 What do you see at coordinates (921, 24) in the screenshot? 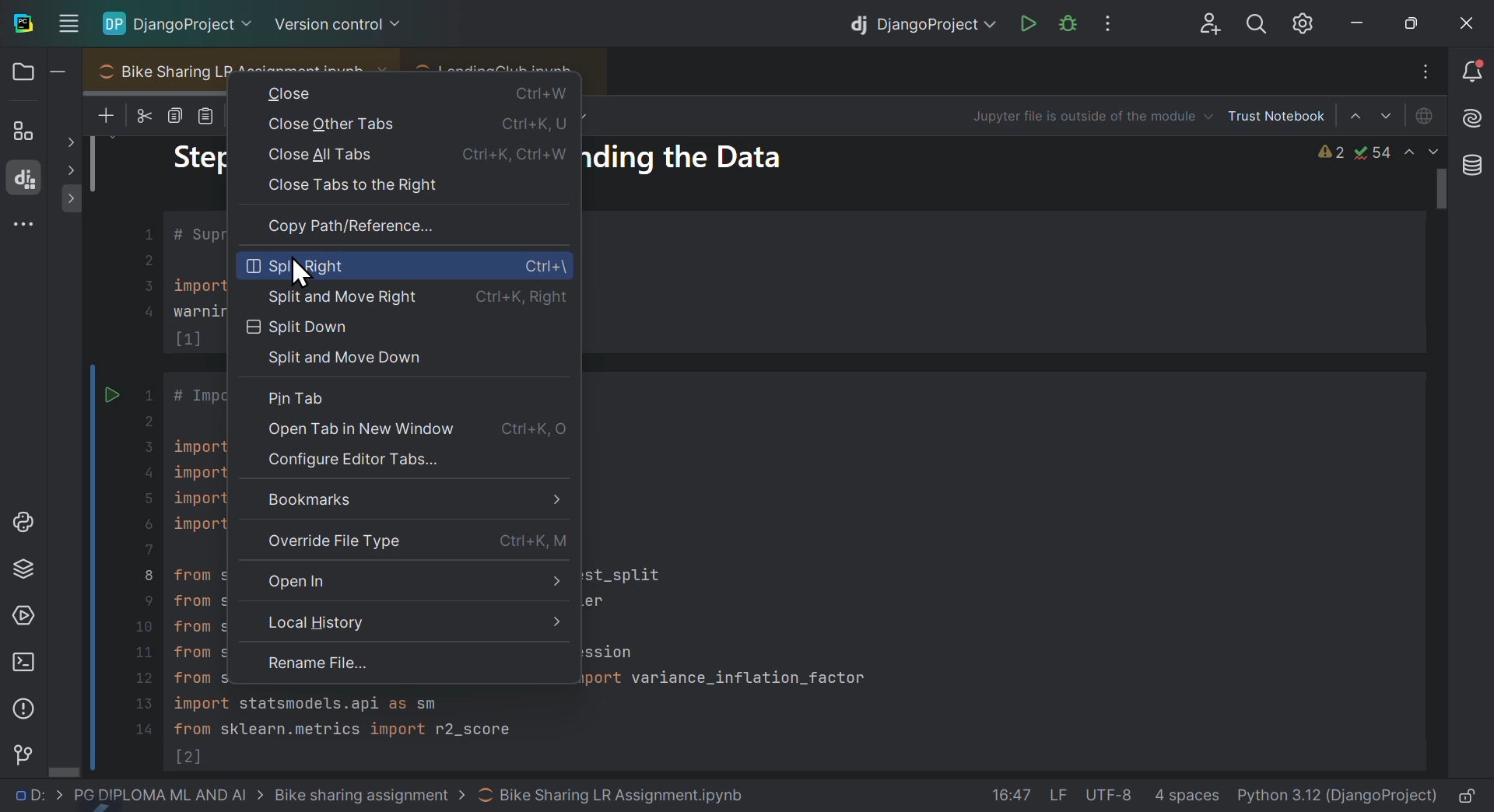
I see `Django project` at bounding box center [921, 24].